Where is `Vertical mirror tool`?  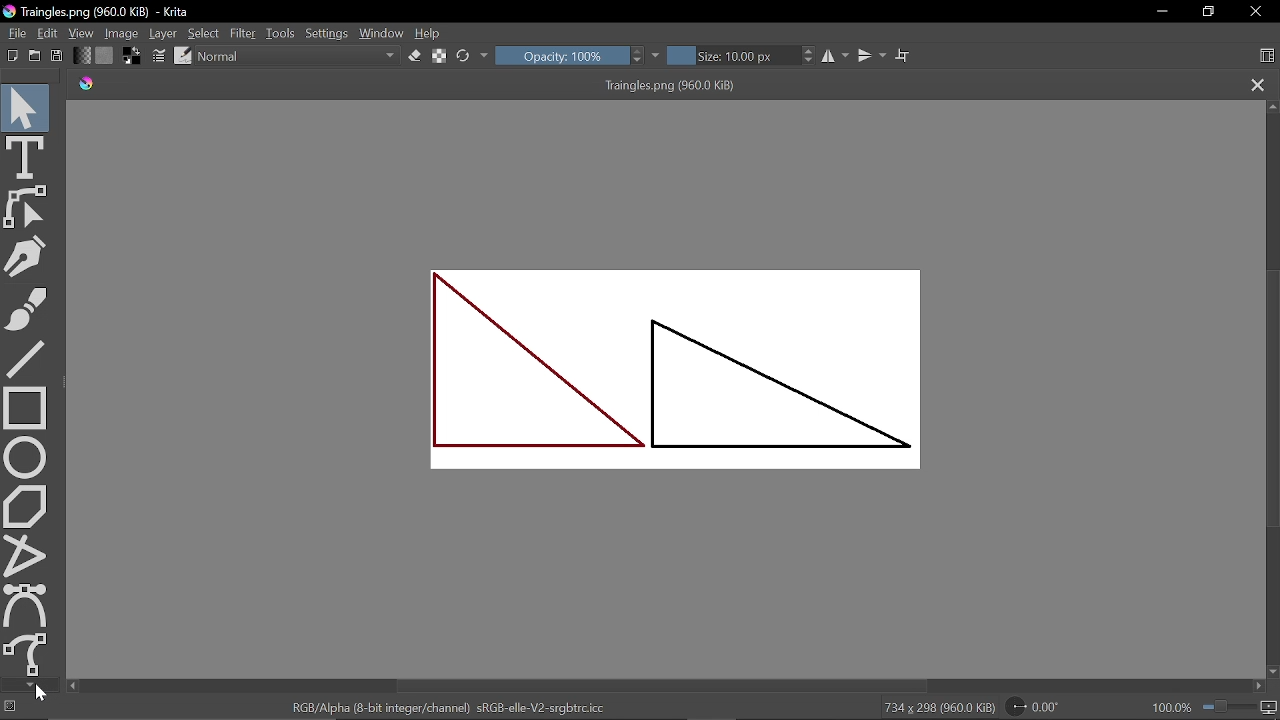 Vertical mirror tool is located at coordinates (873, 55).